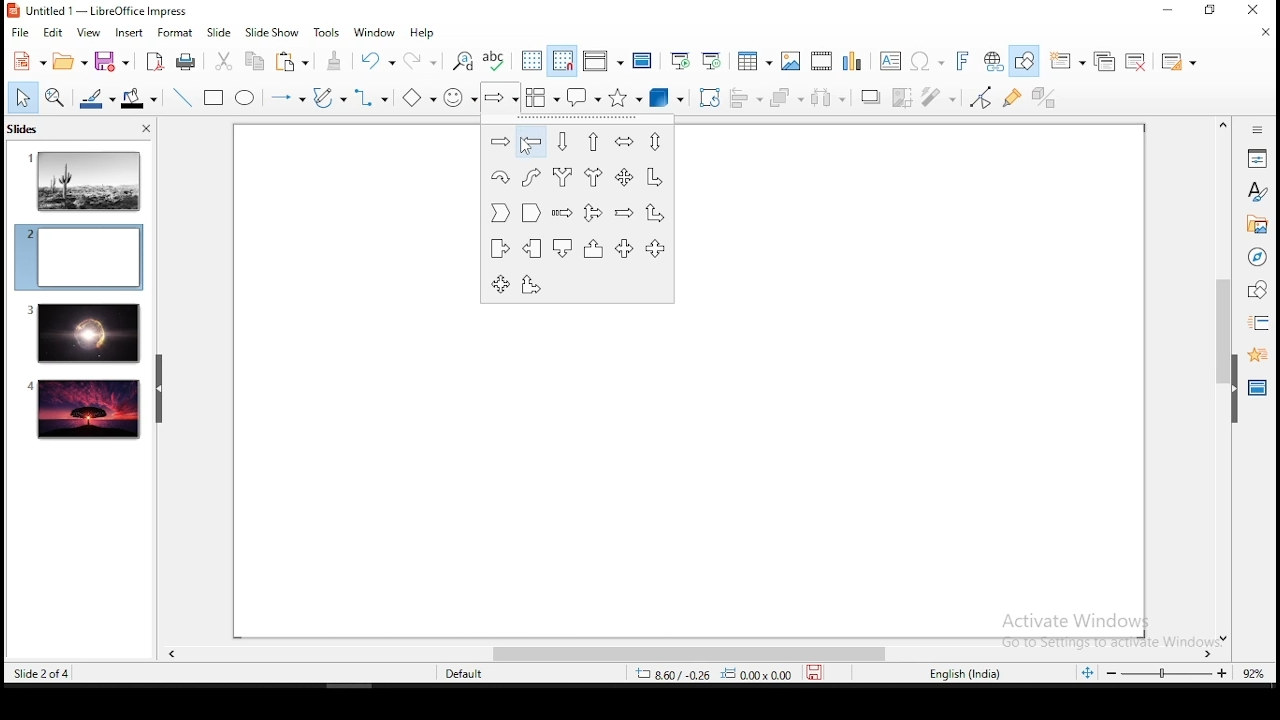 This screenshot has width=1280, height=720. I want to click on zoom tool, so click(55, 99).